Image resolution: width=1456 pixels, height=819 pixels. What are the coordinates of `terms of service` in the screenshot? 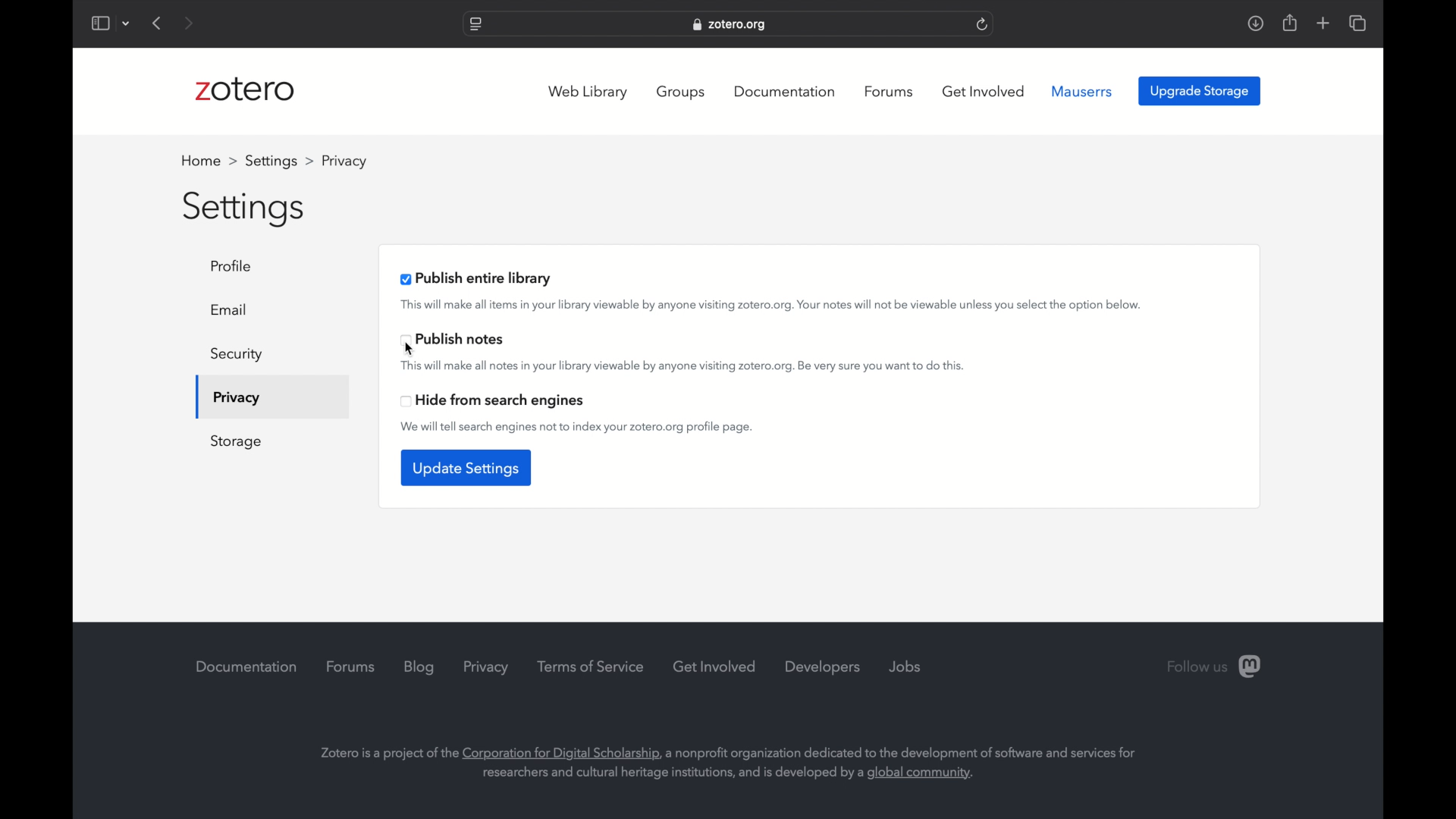 It's located at (590, 667).